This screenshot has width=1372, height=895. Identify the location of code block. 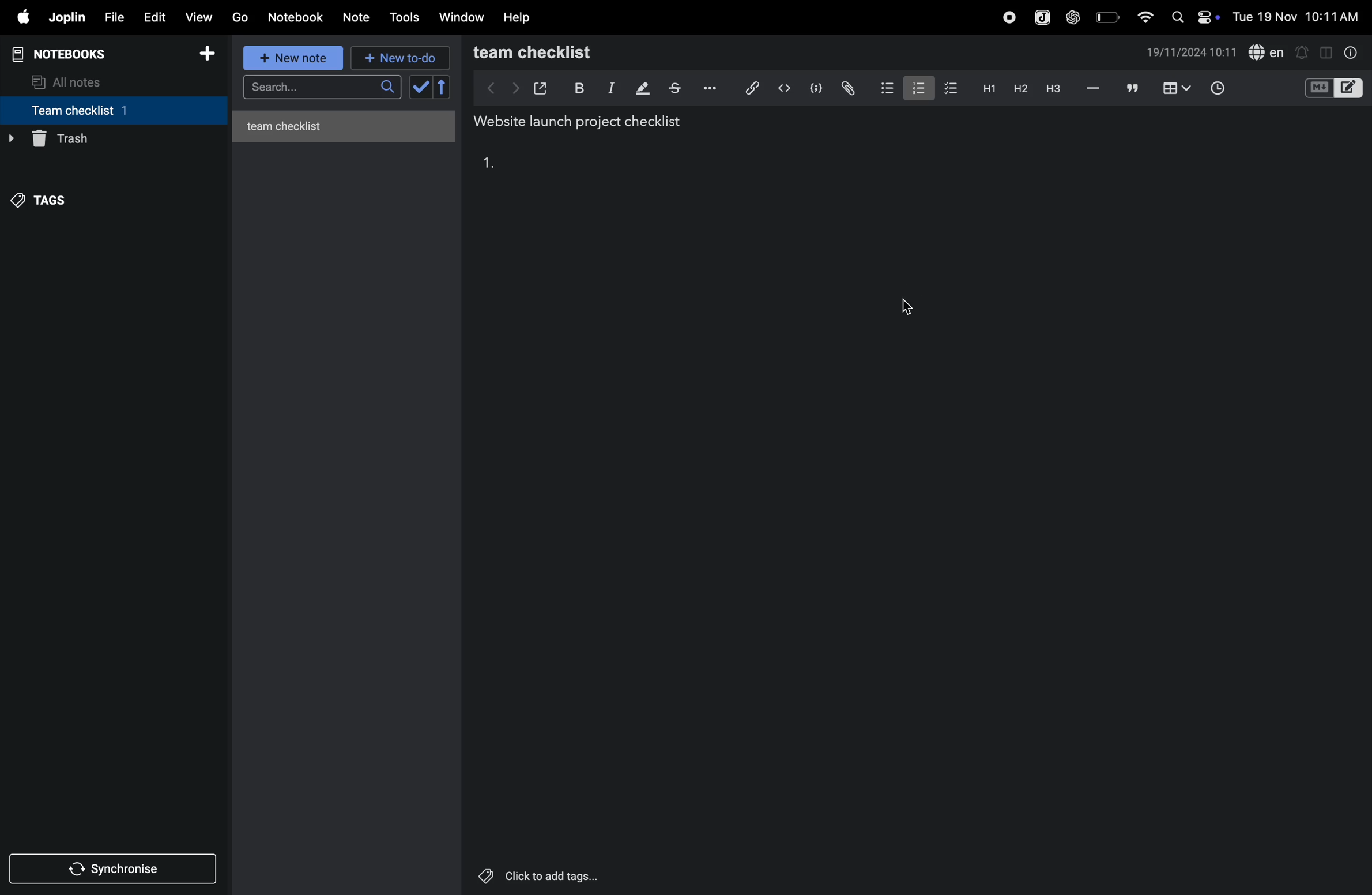
(816, 87).